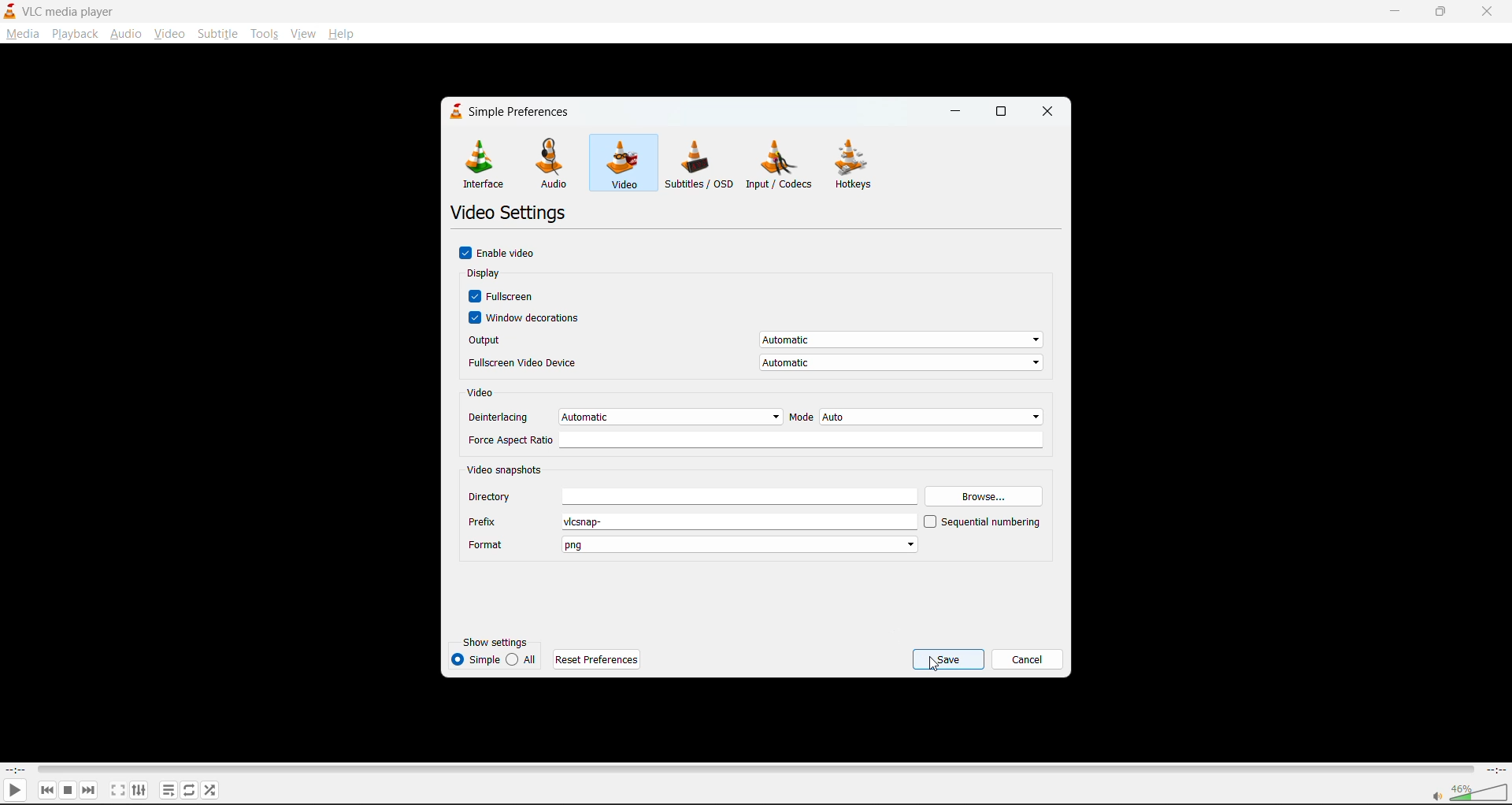  What do you see at coordinates (753, 338) in the screenshot?
I see `output` at bounding box center [753, 338].